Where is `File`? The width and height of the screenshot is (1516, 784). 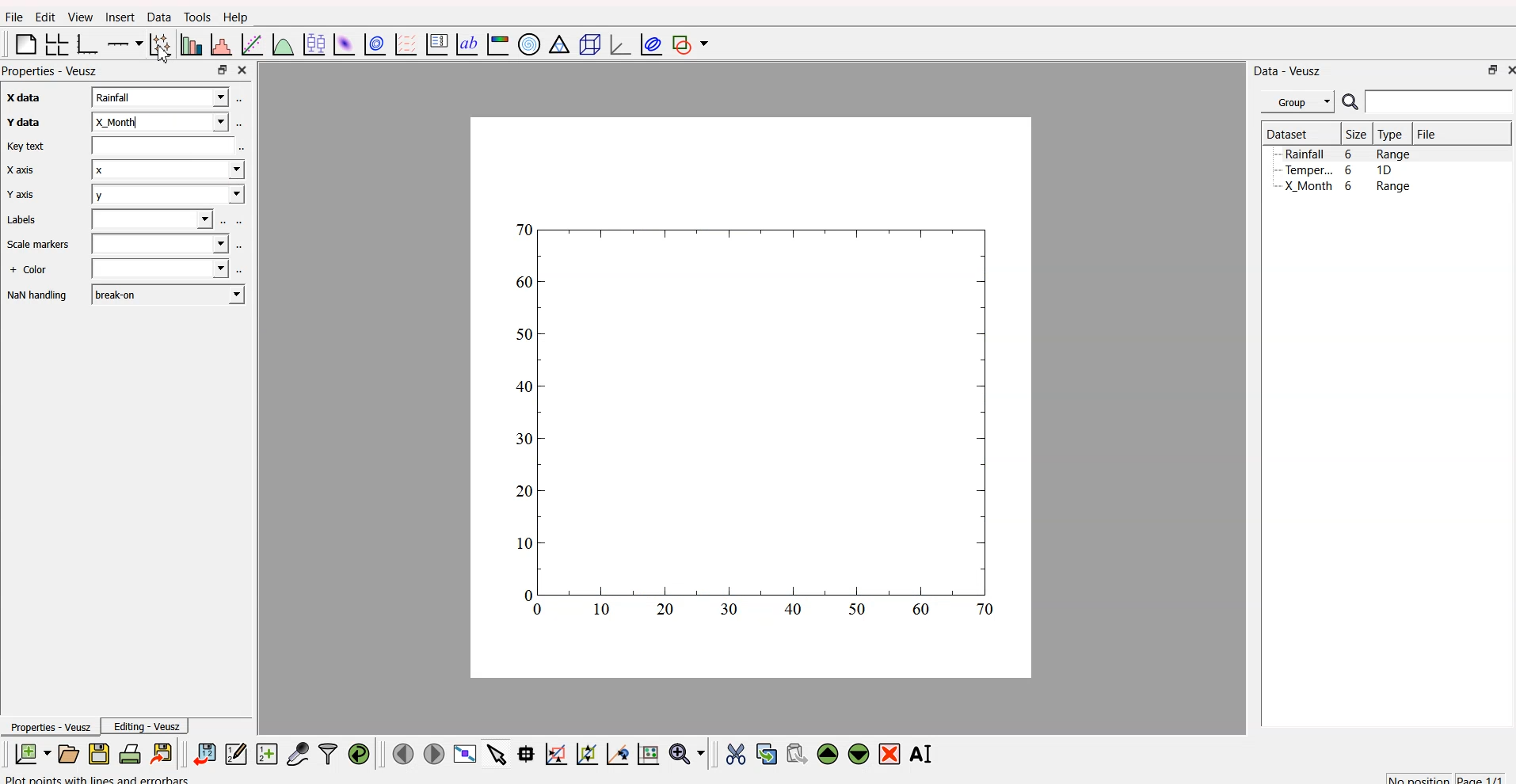 File is located at coordinates (1428, 134).